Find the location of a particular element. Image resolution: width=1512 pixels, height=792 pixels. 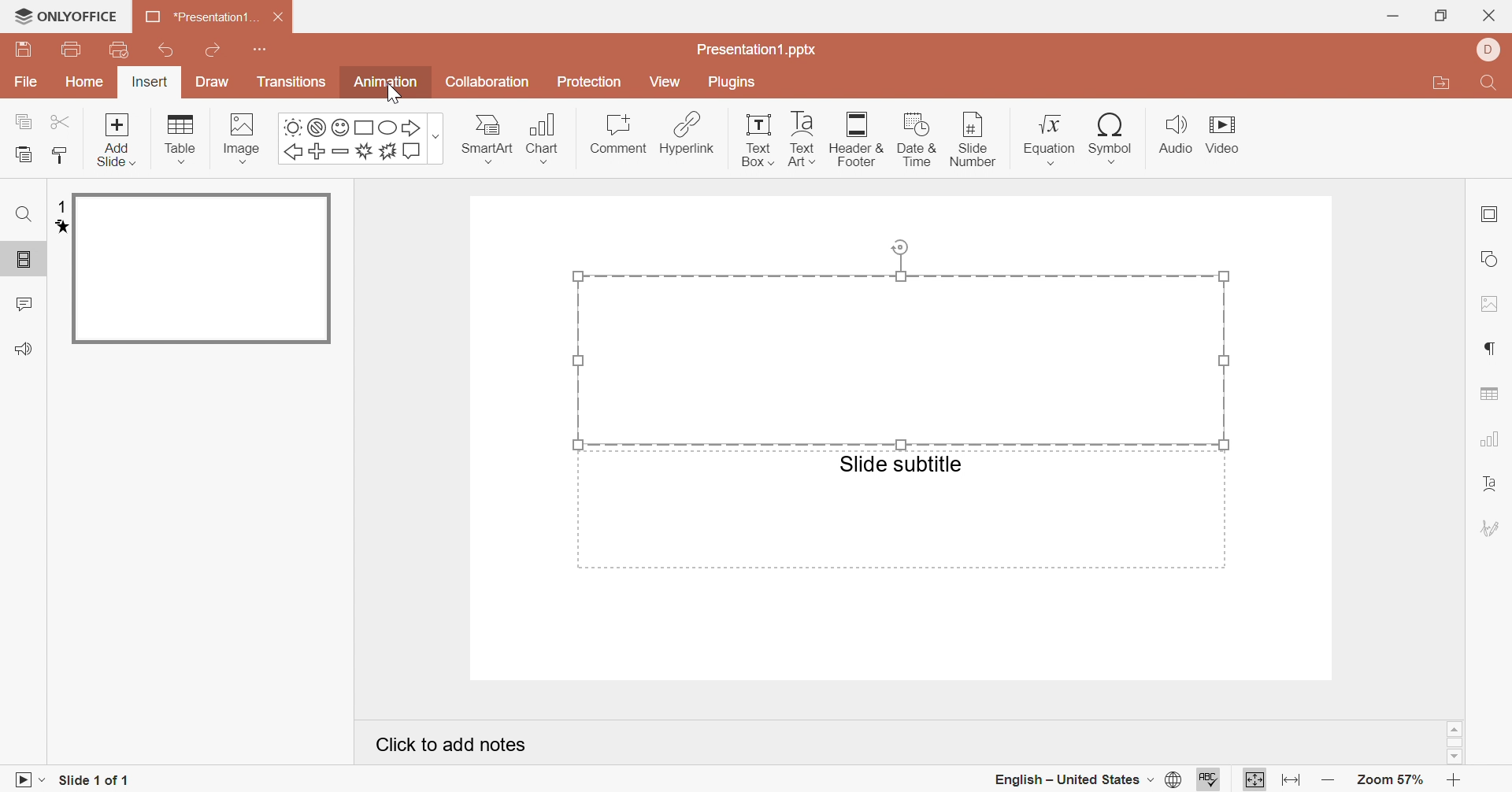

draw is located at coordinates (212, 82).